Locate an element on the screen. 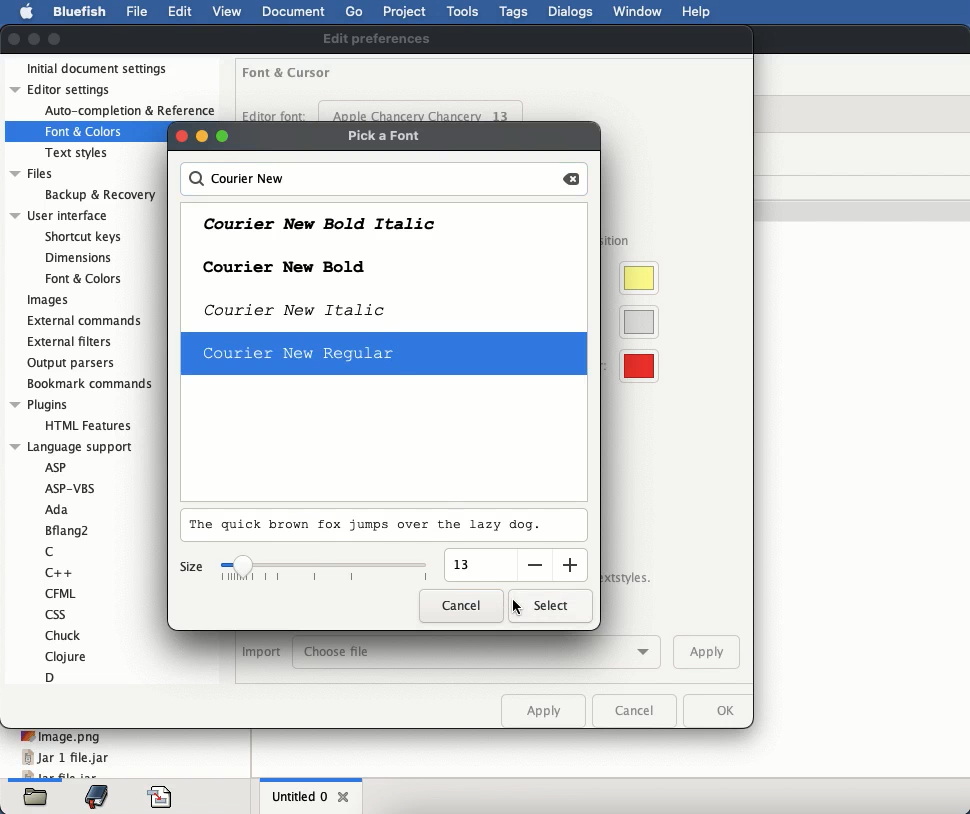 Image resolution: width=970 pixels, height=814 pixels. user interface is located at coordinates (69, 248).